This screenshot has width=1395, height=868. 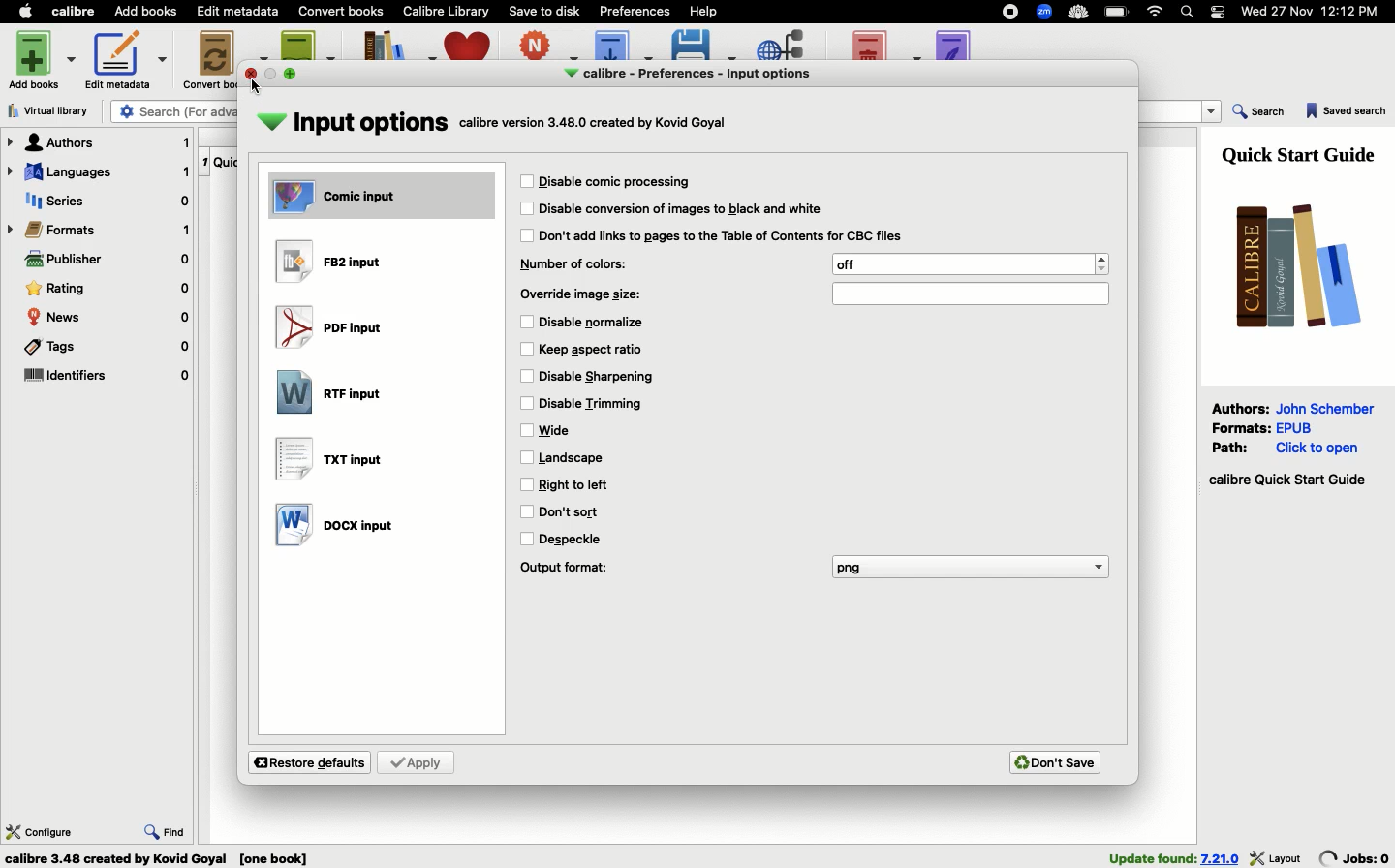 I want to click on Formats, so click(x=1242, y=426).